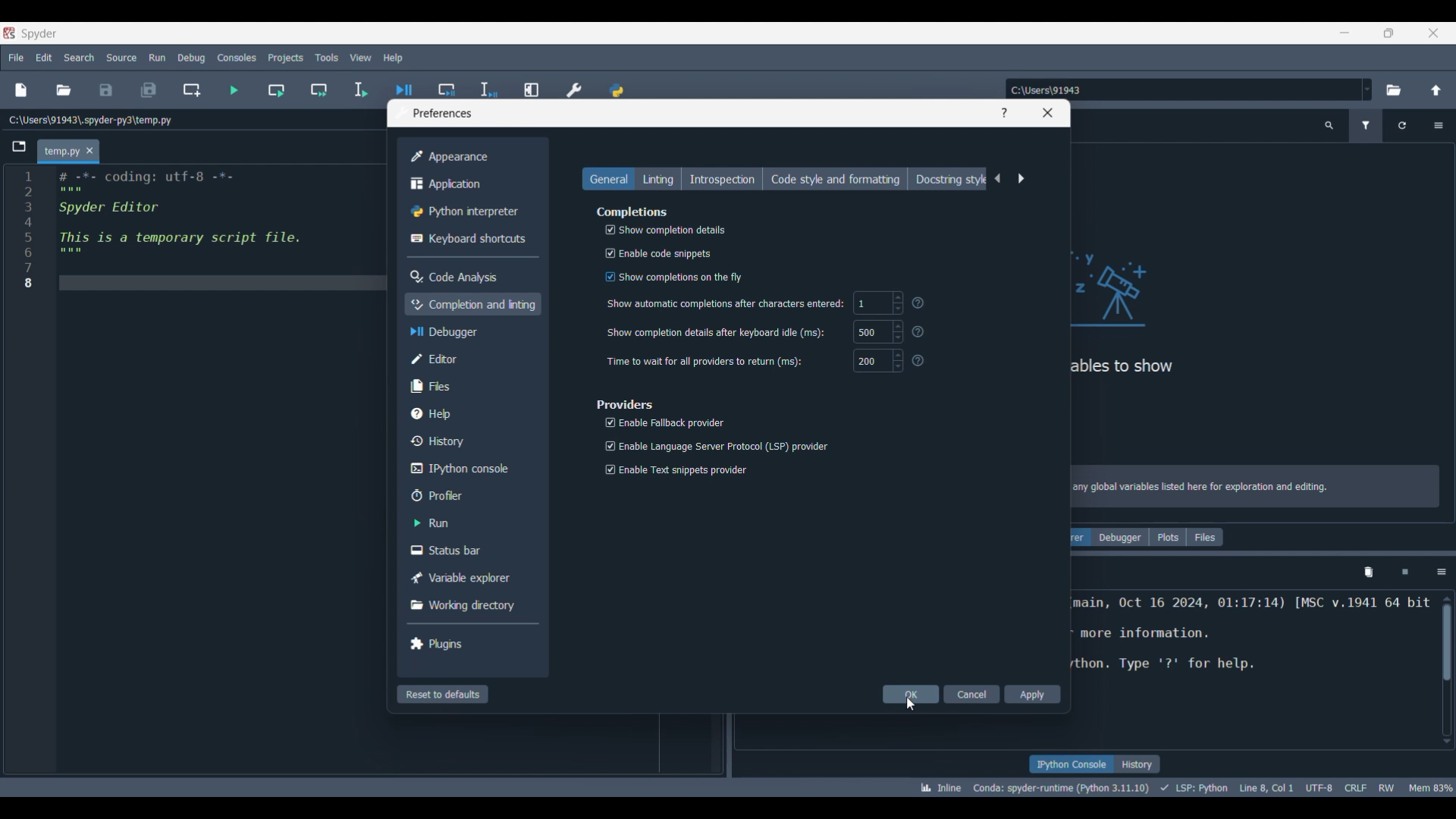 This screenshot has width=1456, height=819. I want to click on History, so click(471, 441).